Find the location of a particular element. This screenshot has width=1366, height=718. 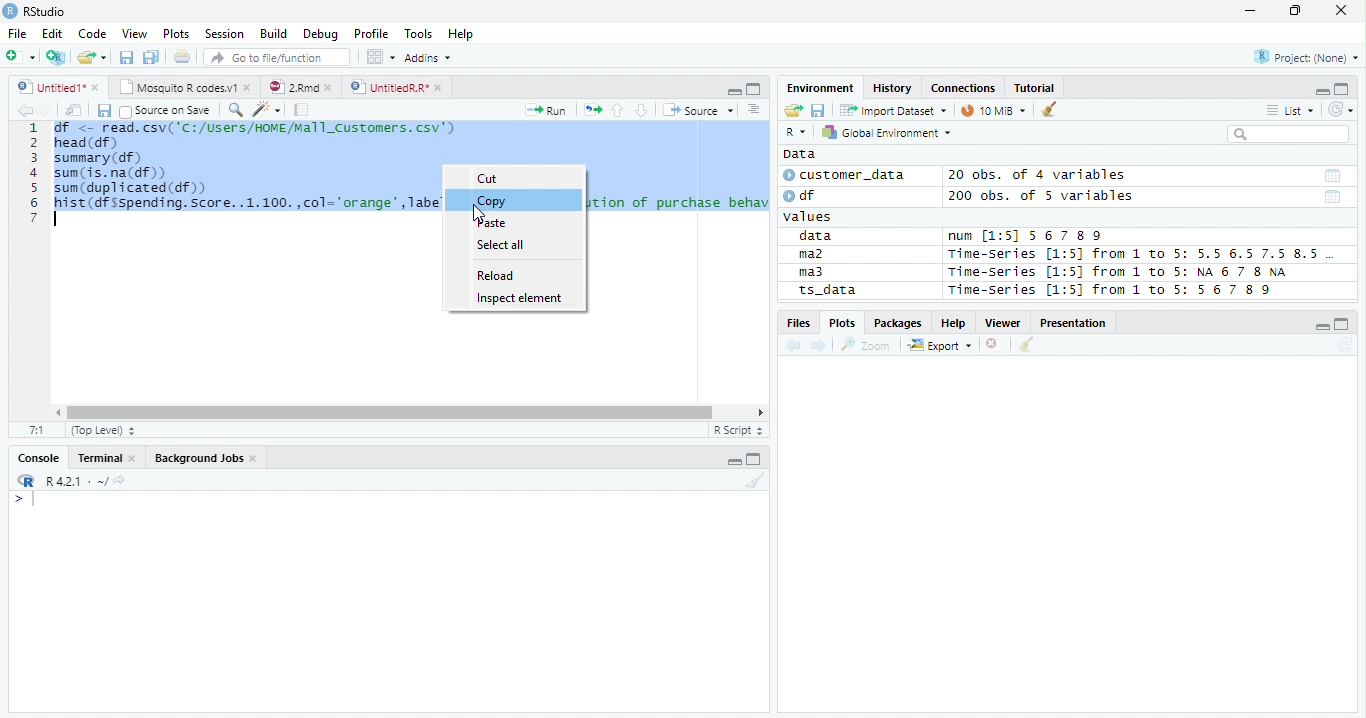

R script is located at coordinates (737, 430).